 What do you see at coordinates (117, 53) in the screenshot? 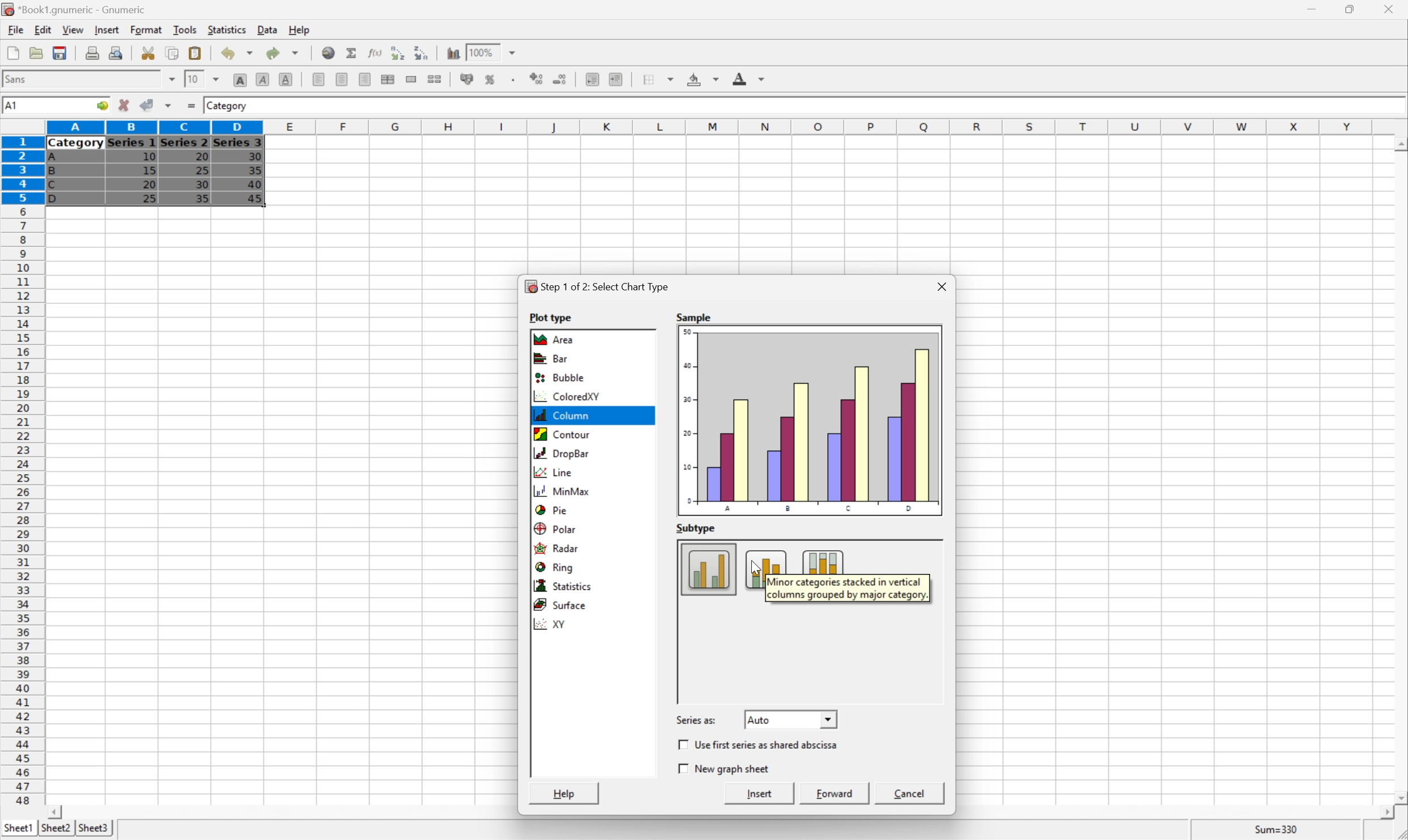
I see `Print preview` at bounding box center [117, 53].